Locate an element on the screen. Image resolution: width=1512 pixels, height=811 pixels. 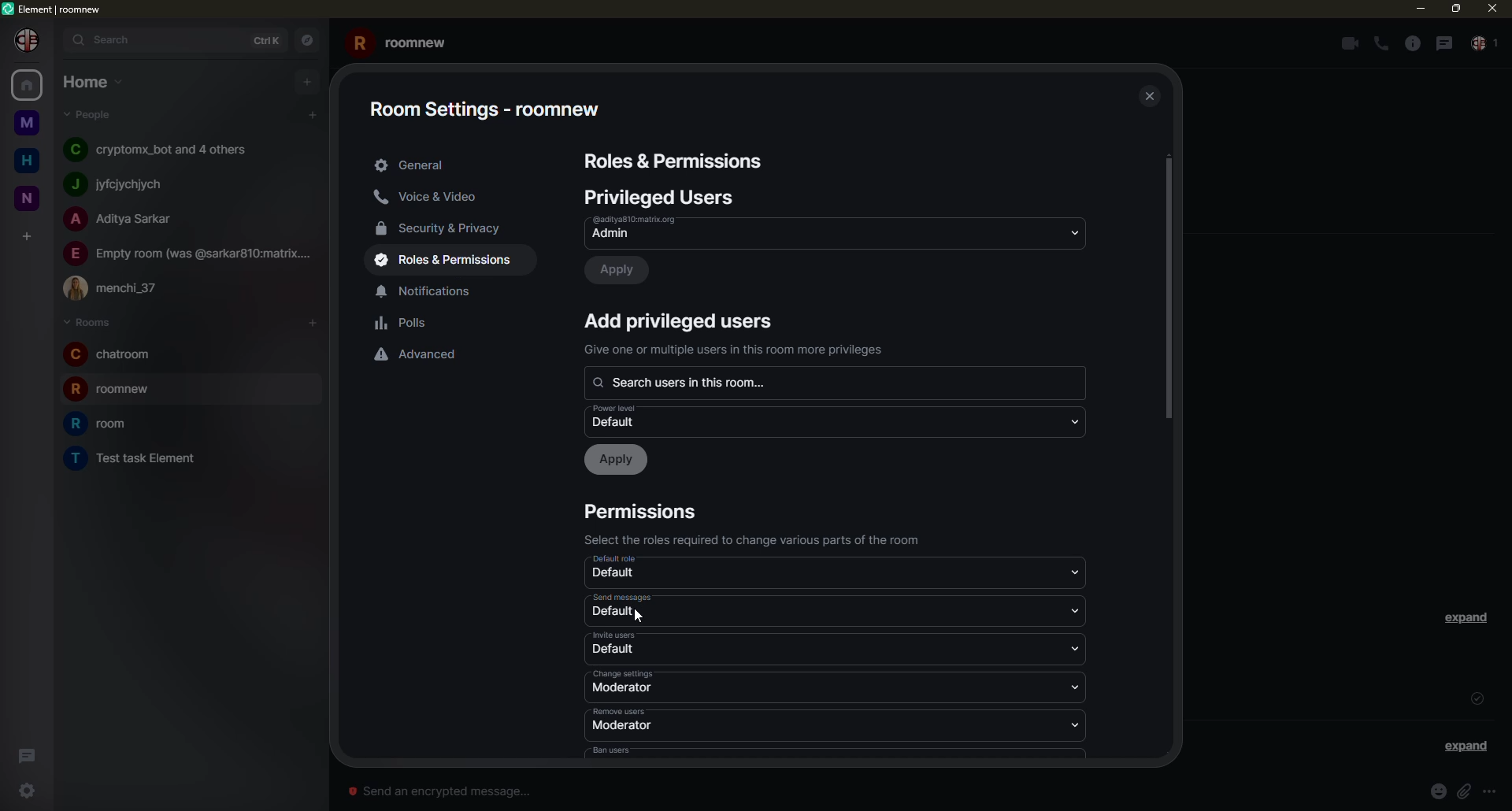
info is located at coordinates (1496, 791).